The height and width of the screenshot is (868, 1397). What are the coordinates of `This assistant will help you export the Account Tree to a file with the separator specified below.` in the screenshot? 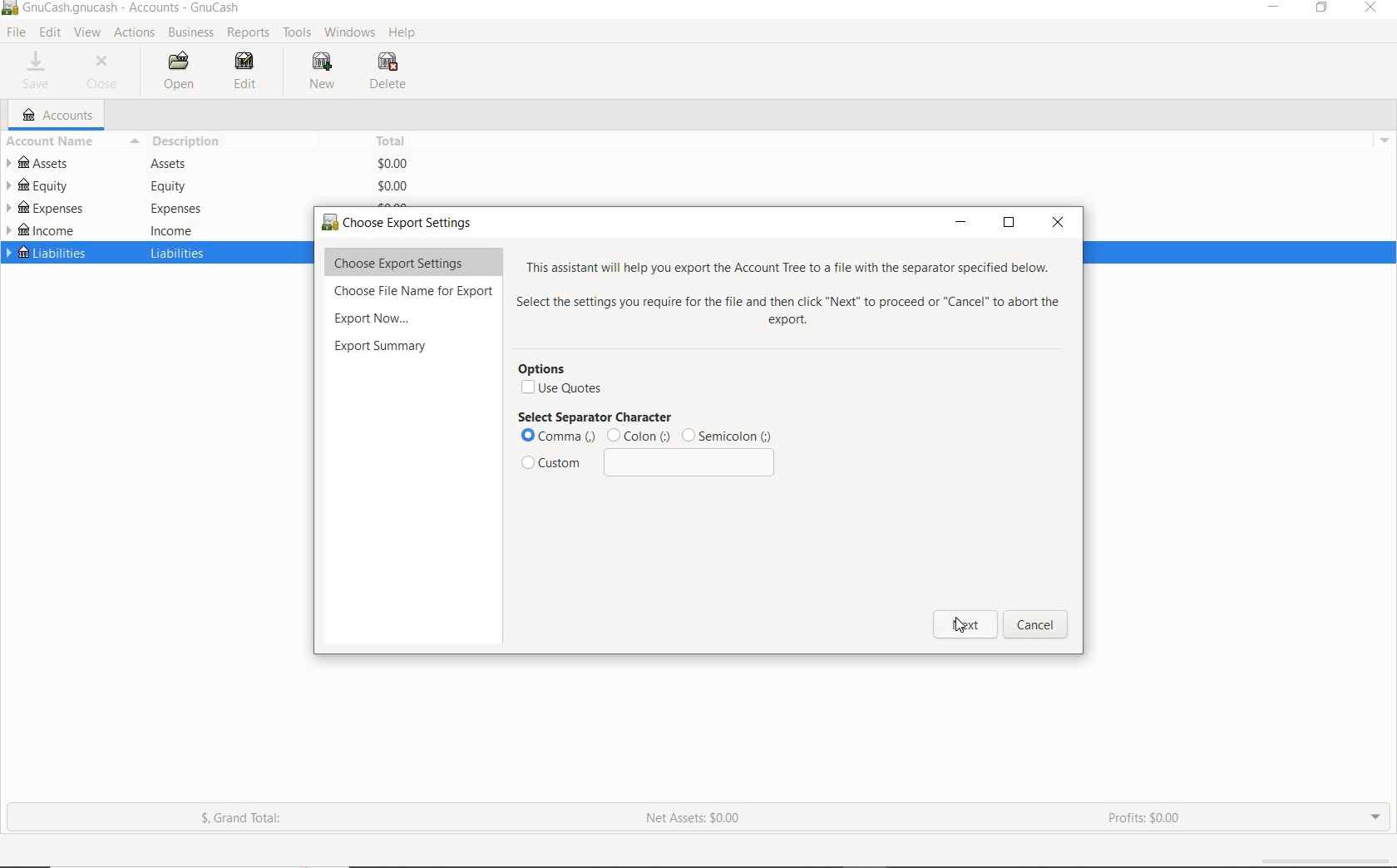 It's located at (786, 267).